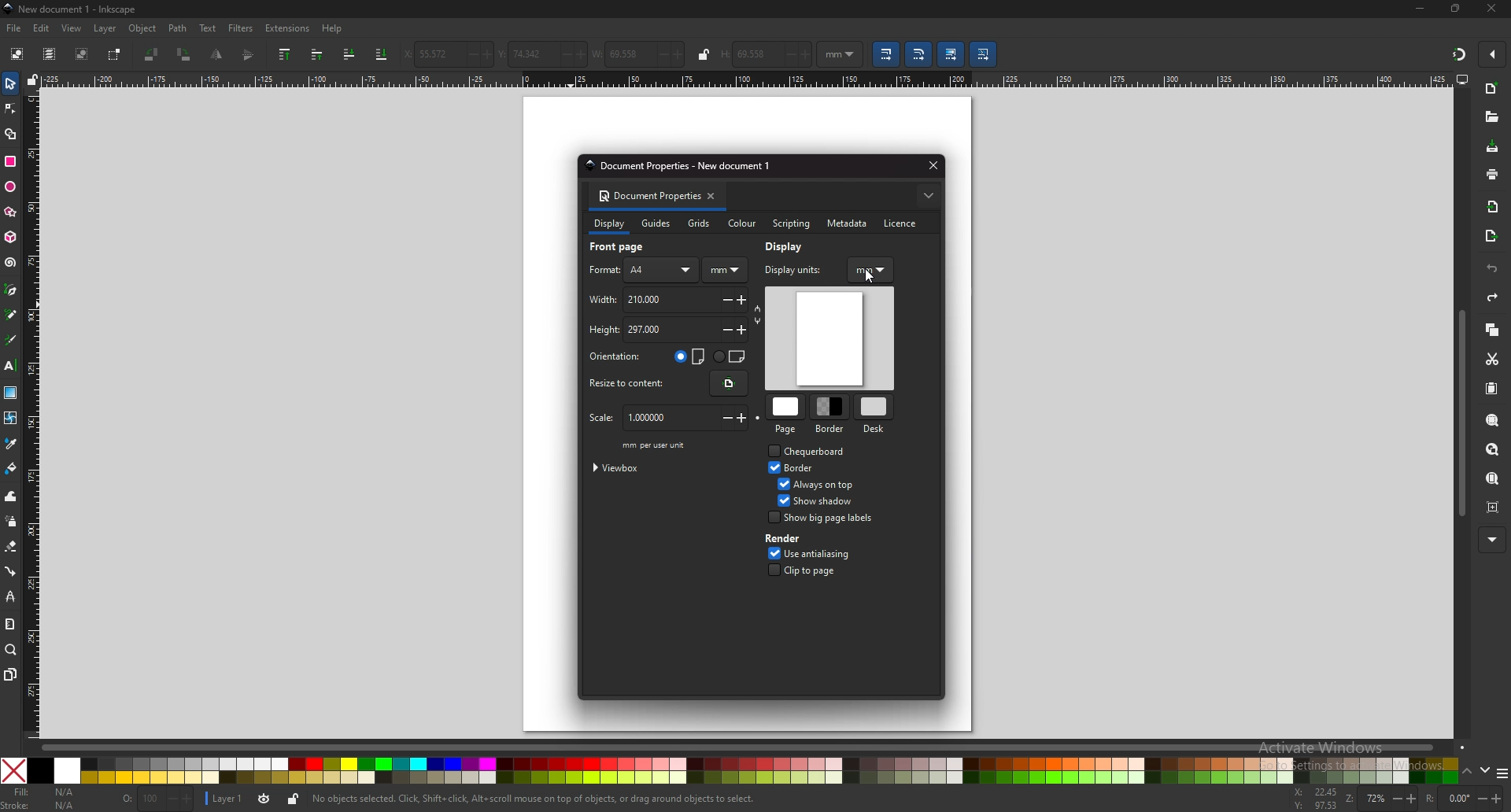  Describe the element at coordinates (1492, 146) in the screenshot. I see `save` at that location.